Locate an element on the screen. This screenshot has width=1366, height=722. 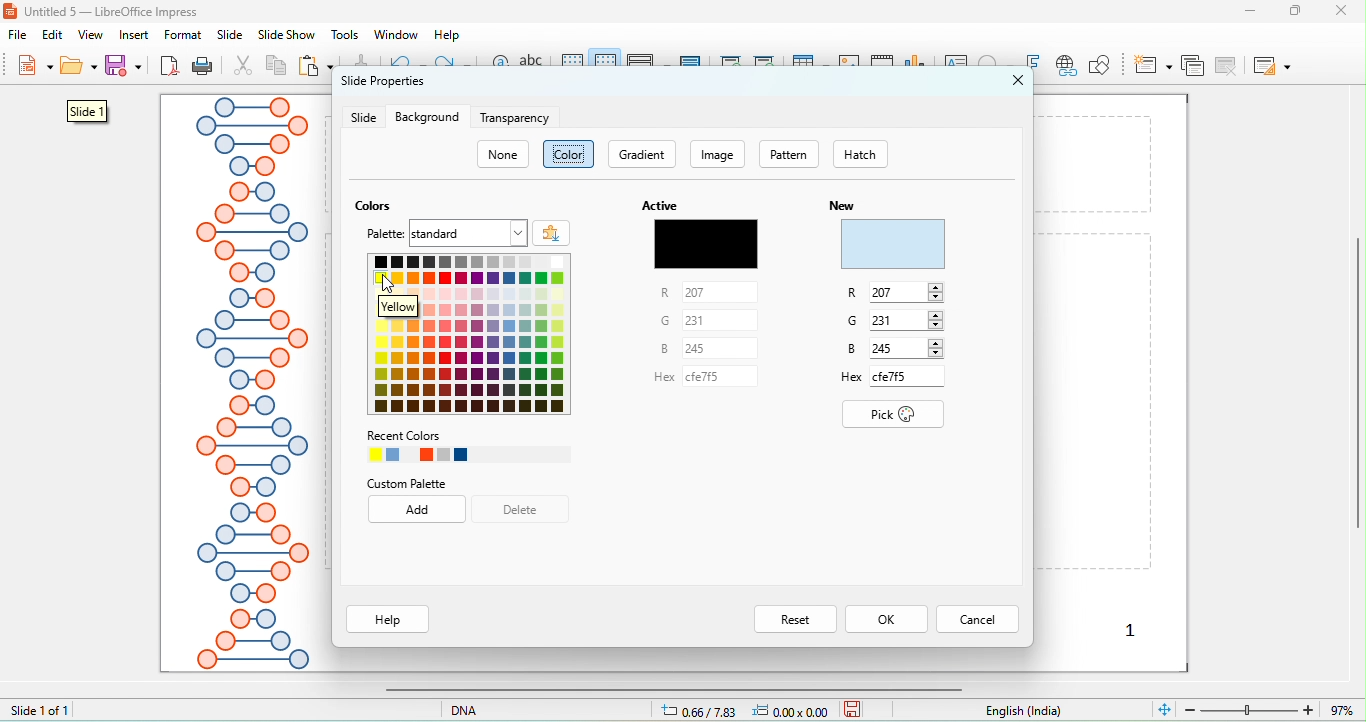
media is located at coordinates (883, 63).